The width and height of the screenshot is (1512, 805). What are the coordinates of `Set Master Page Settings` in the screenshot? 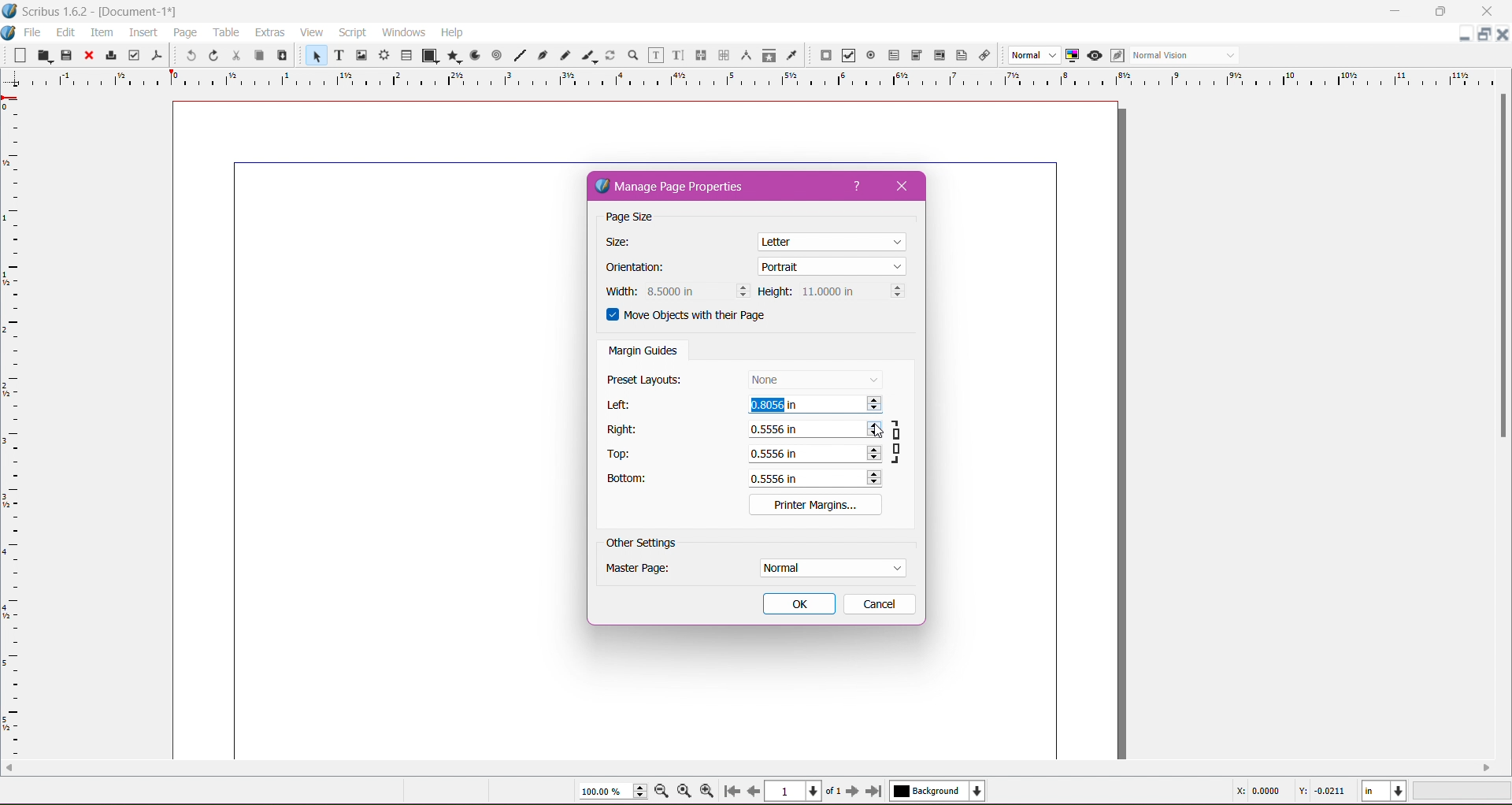 It's located at (831, 568).